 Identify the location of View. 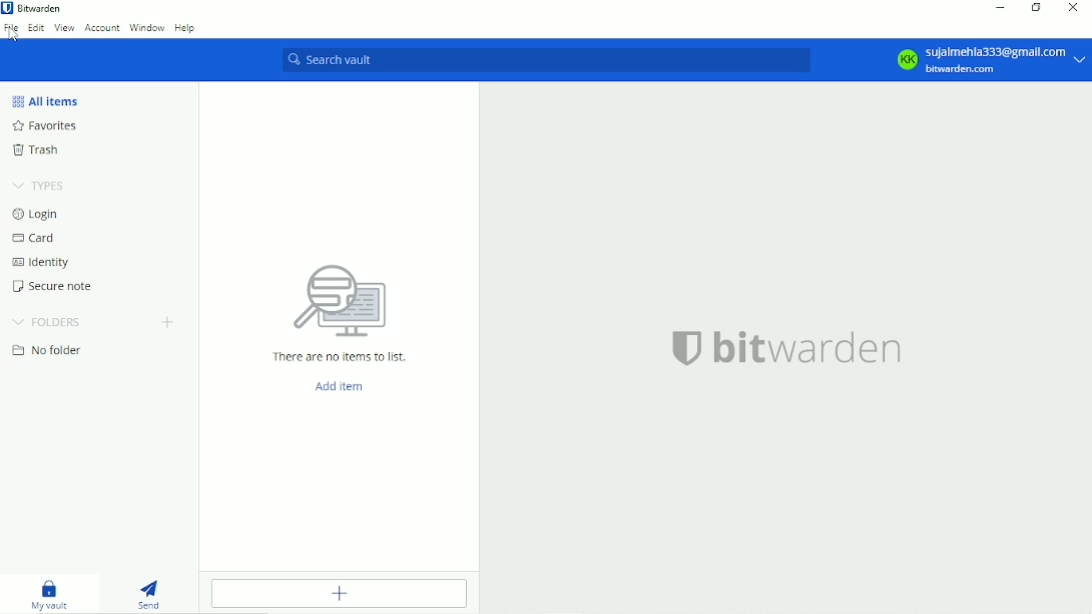
(64, 29).